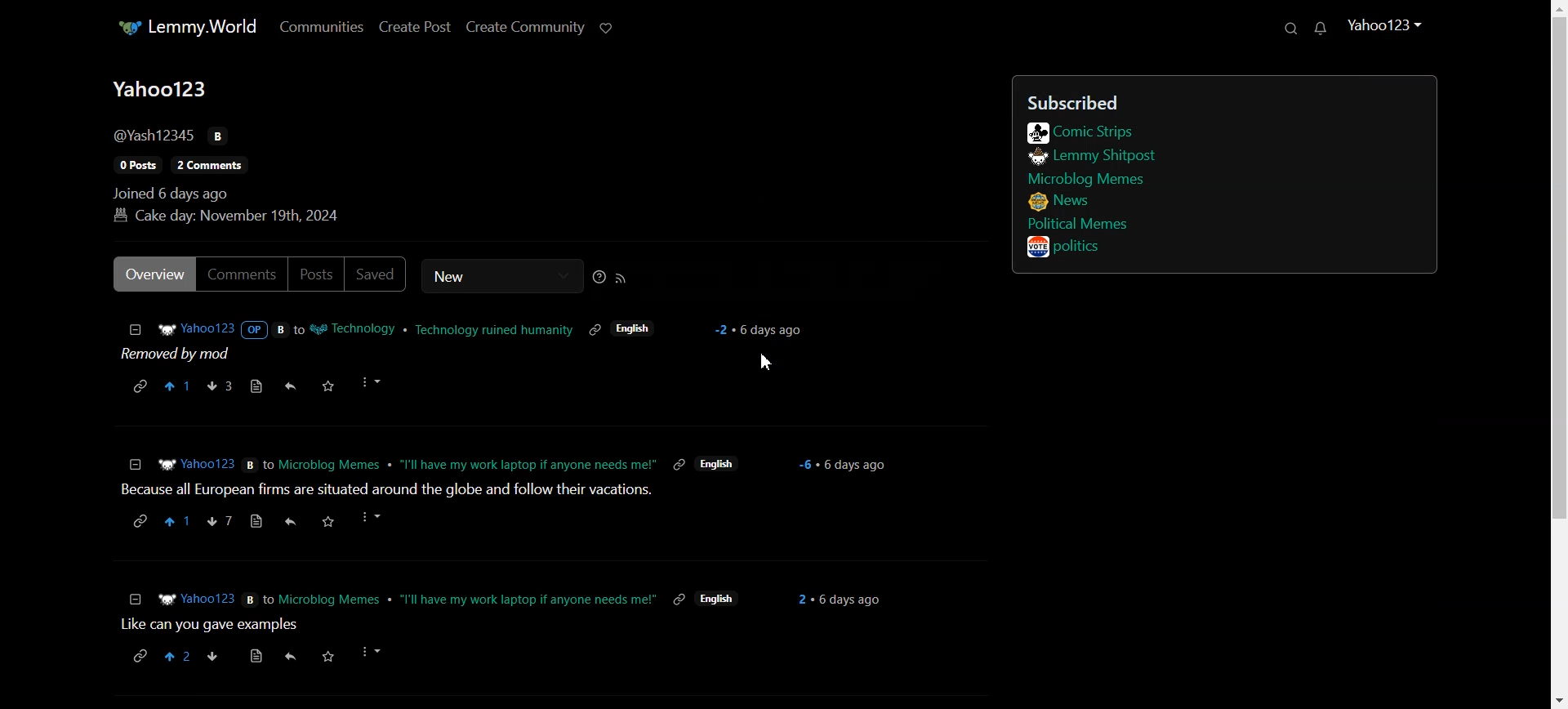 The width and height of the screenshot is (1568, 709). What do you see at coordinates (328, 386) in the screenshot?
I see `Save` at bounding box center [328, 386].